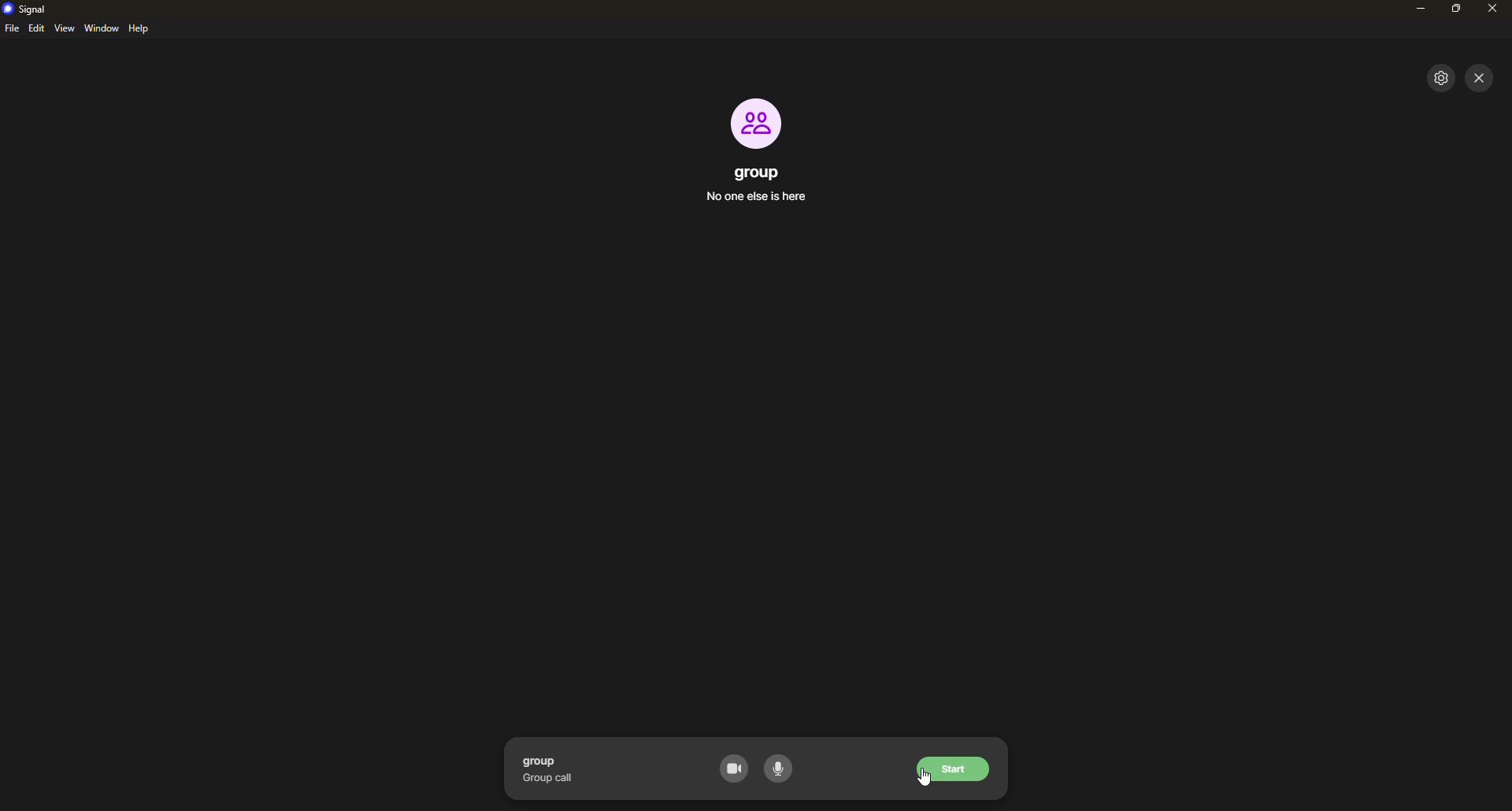  Describe the element at coordinates (12, 30) in the screenshot. I see `file` at that location.